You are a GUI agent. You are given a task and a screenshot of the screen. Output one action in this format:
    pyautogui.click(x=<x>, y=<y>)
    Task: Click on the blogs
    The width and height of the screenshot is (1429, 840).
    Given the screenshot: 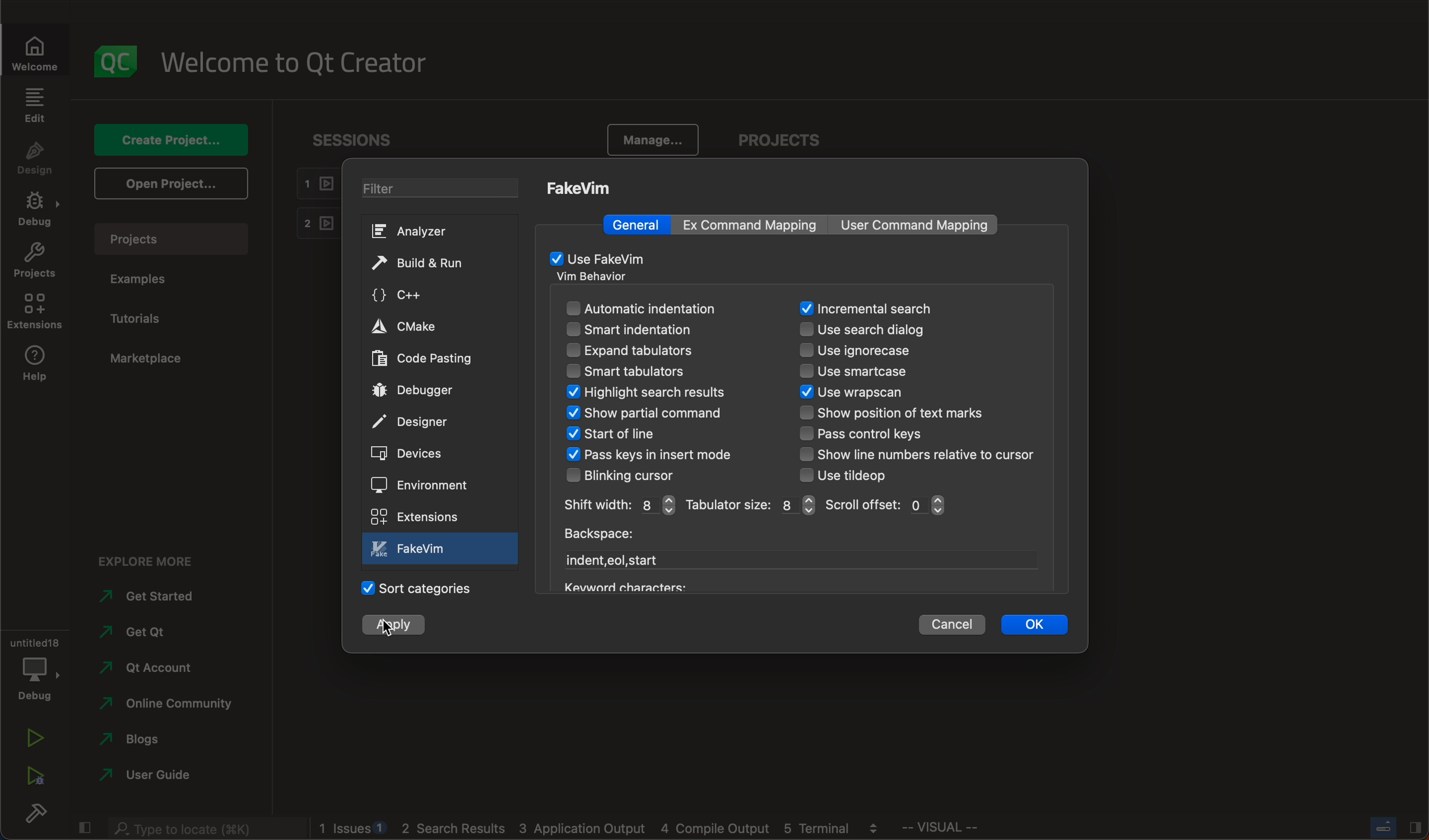 What is the action you would take?
    pyautogui.click(x=158, y=741)
    